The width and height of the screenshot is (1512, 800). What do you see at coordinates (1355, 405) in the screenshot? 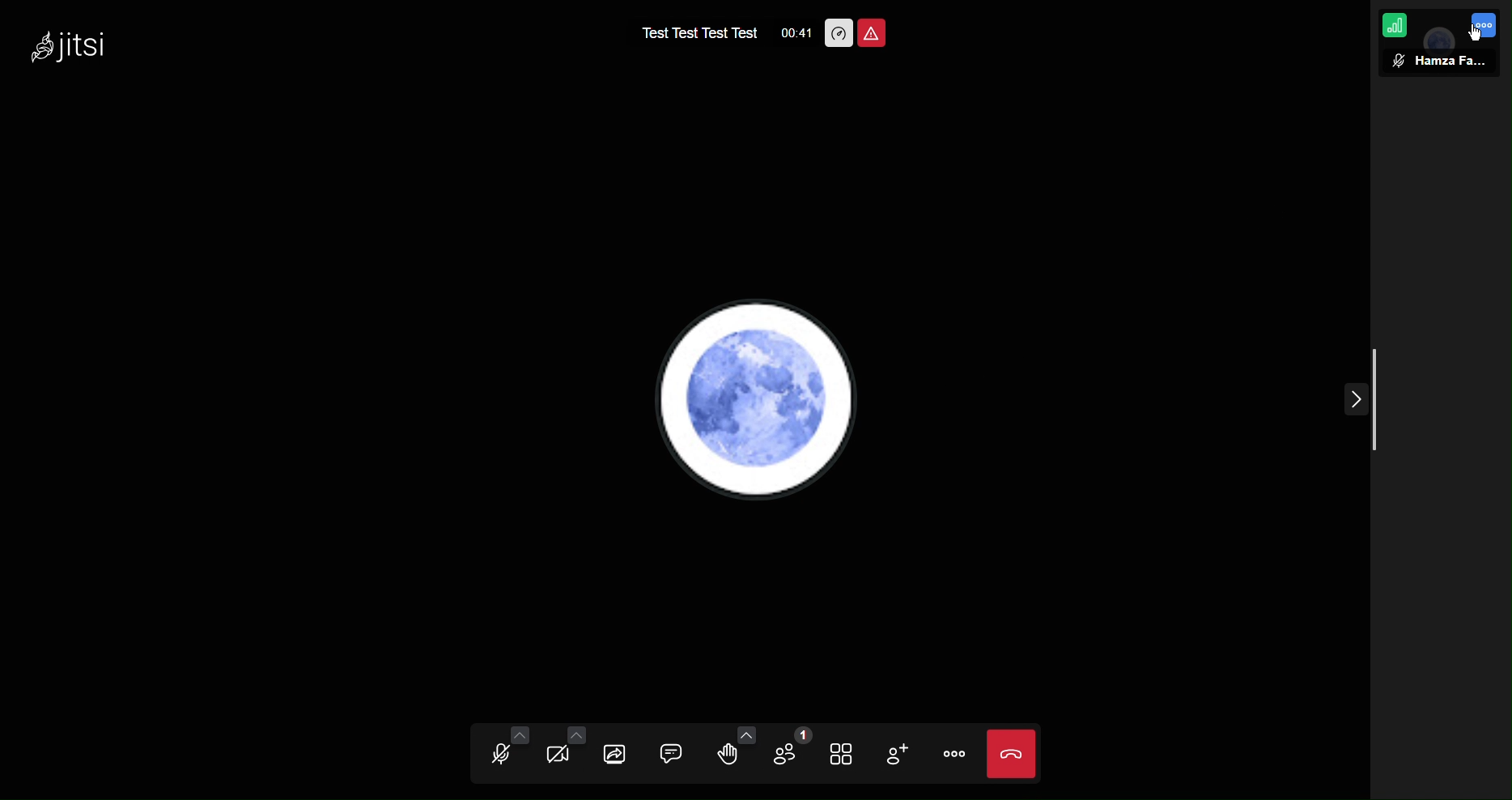
I see `Collapse` at bounding box center [1355, 405].